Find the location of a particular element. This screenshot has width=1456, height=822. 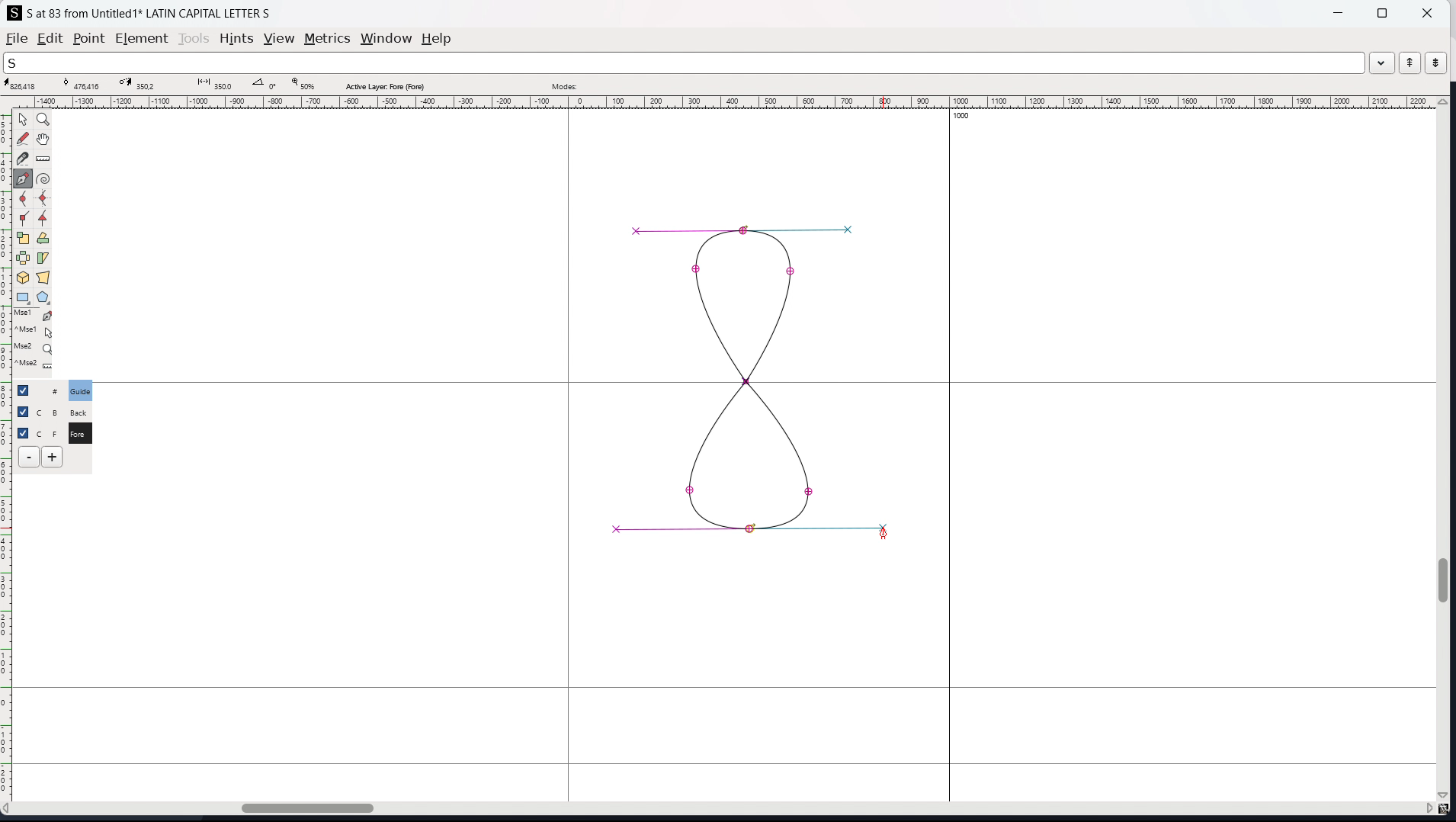

maximize is located at coordinates (1382, 12).